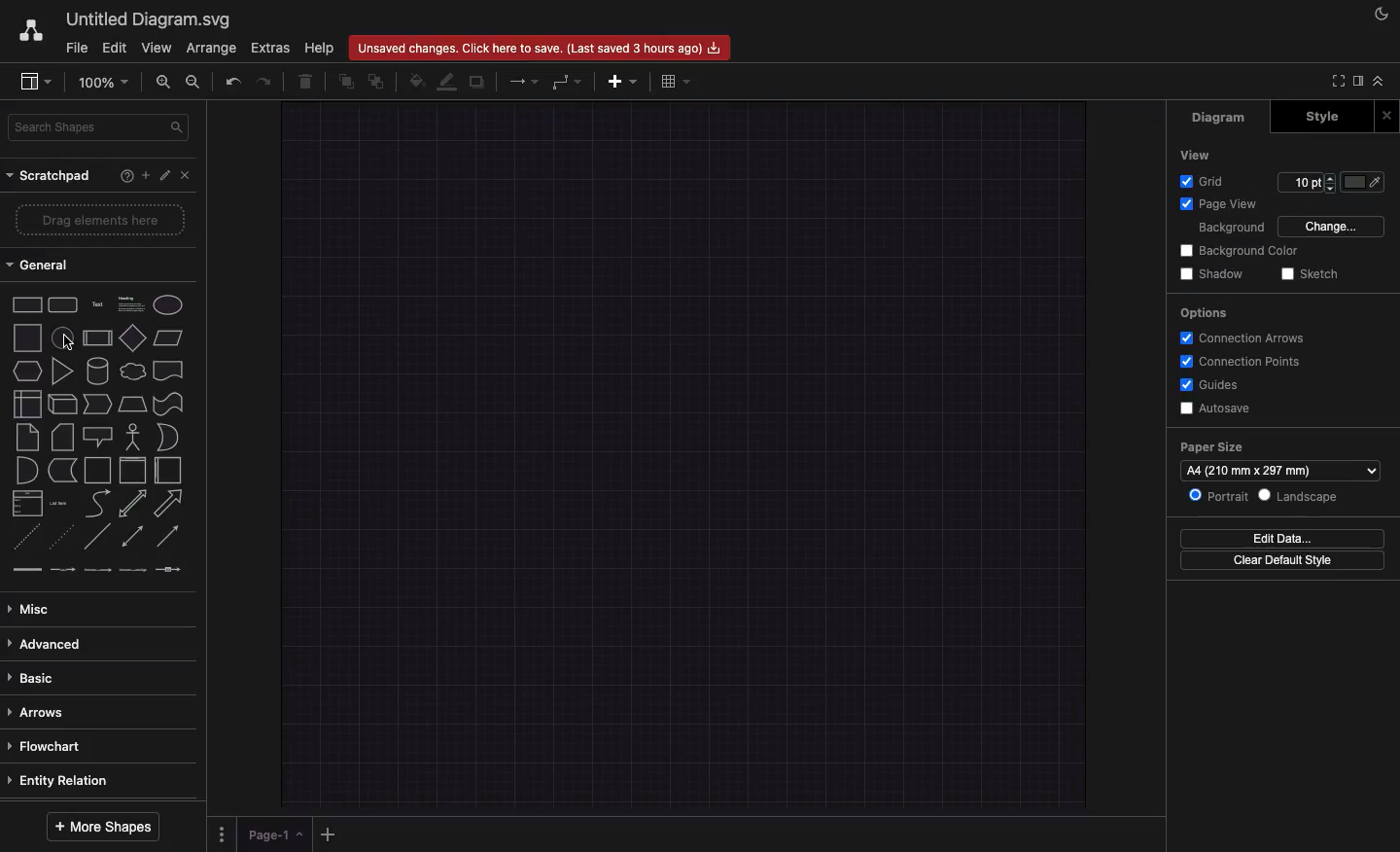 The height and width of the screenshot is (852, 1400). I want to click on Edit, so click(116, 49).